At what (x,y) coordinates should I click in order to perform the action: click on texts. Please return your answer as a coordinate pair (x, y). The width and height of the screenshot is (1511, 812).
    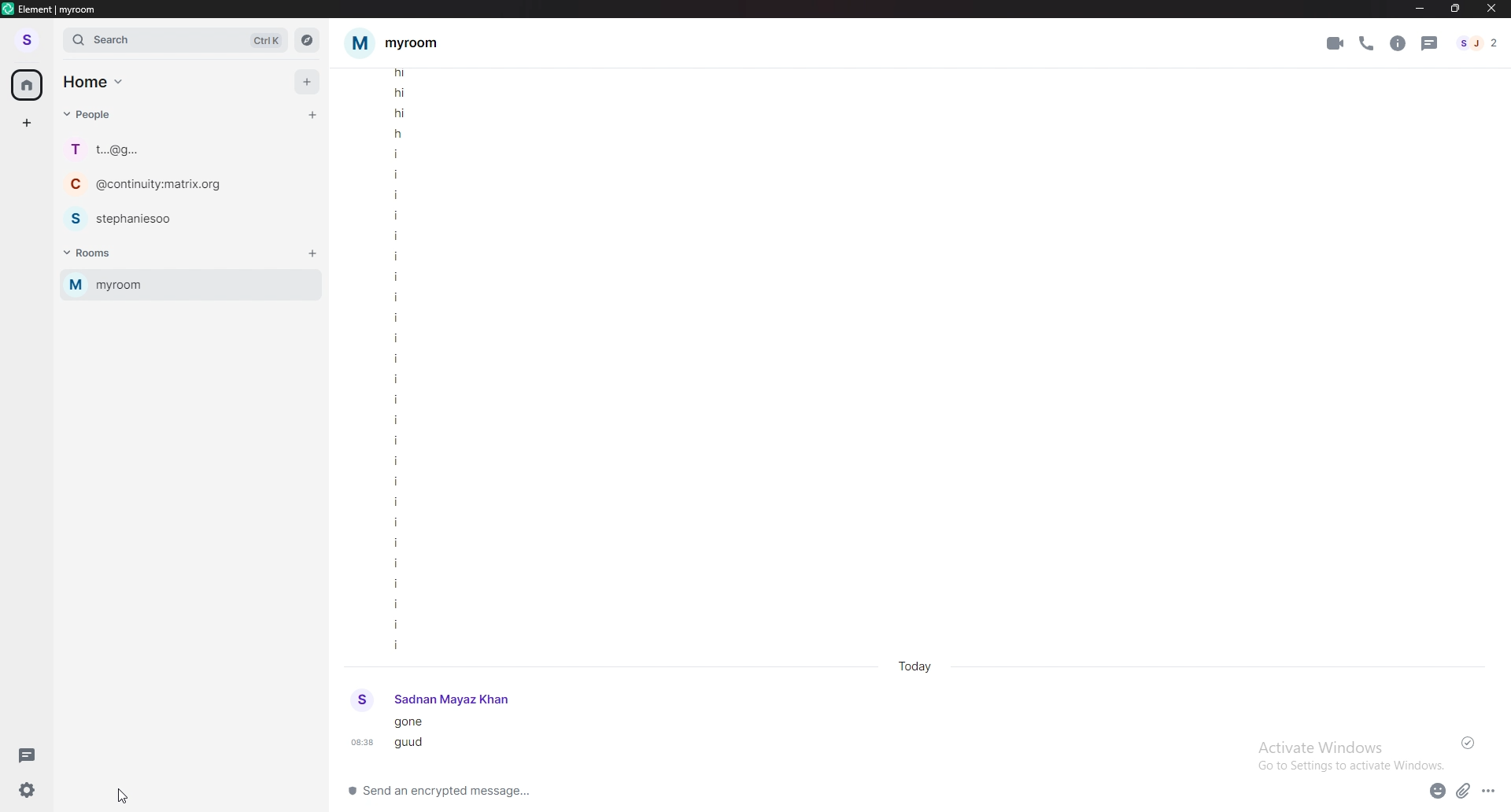
    Looking at the image, I should click on (397, 359).